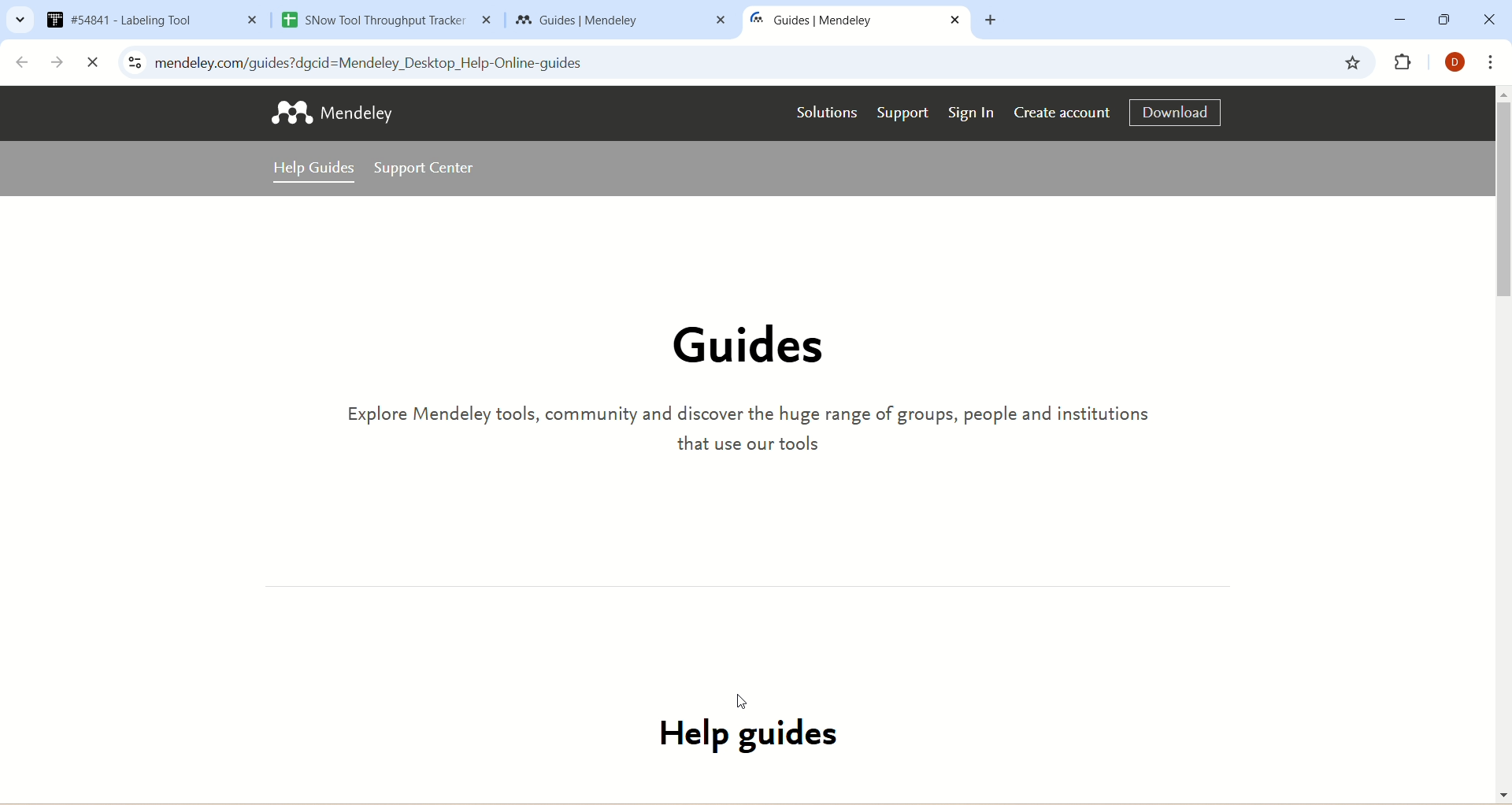 Image resolution: width=1512 pixels, height=805 pixels. I want to click on Guides | Mendely, so click(621, 24).